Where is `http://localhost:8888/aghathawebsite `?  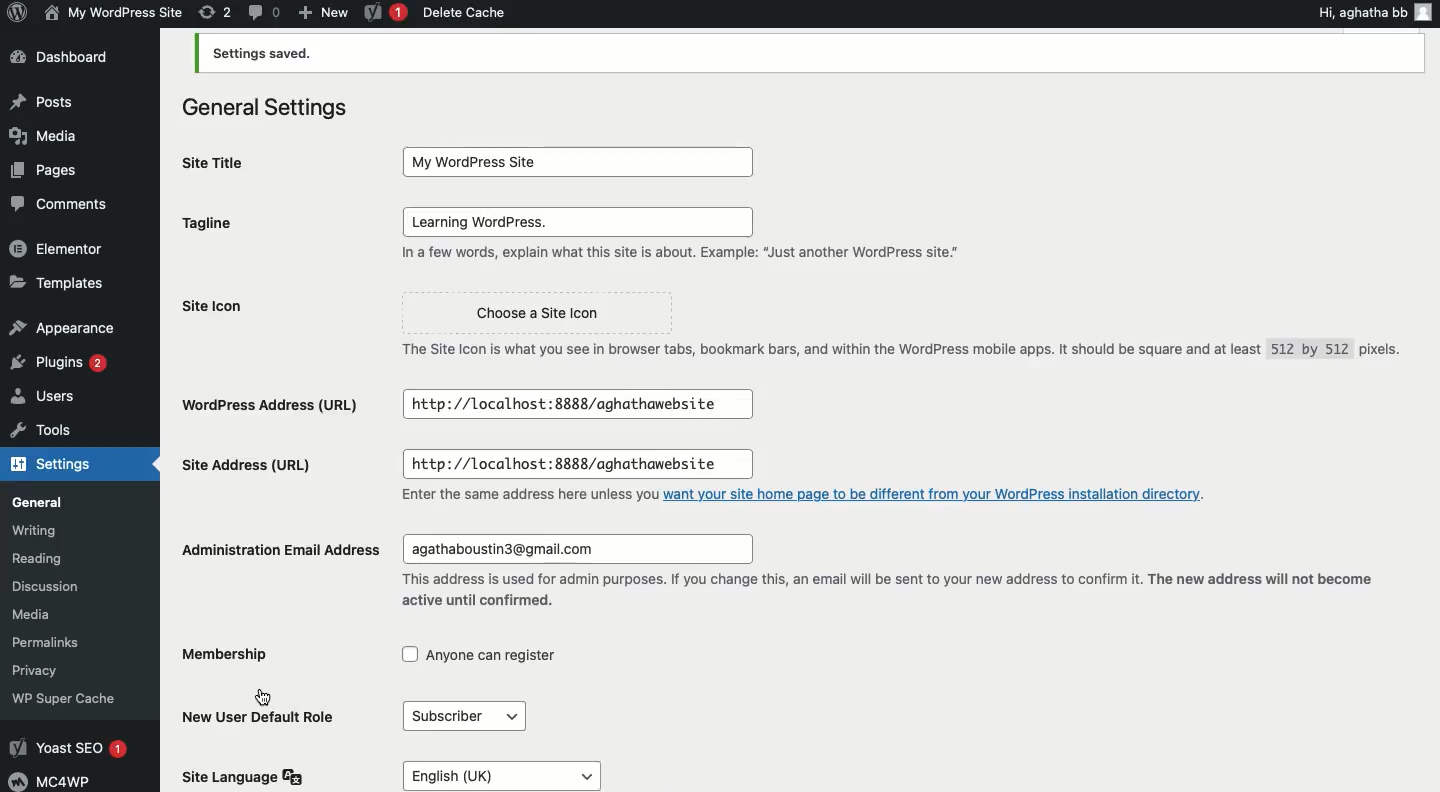
http://localhost:8888/aghathawebsite  is located at coordinates (585, 465).